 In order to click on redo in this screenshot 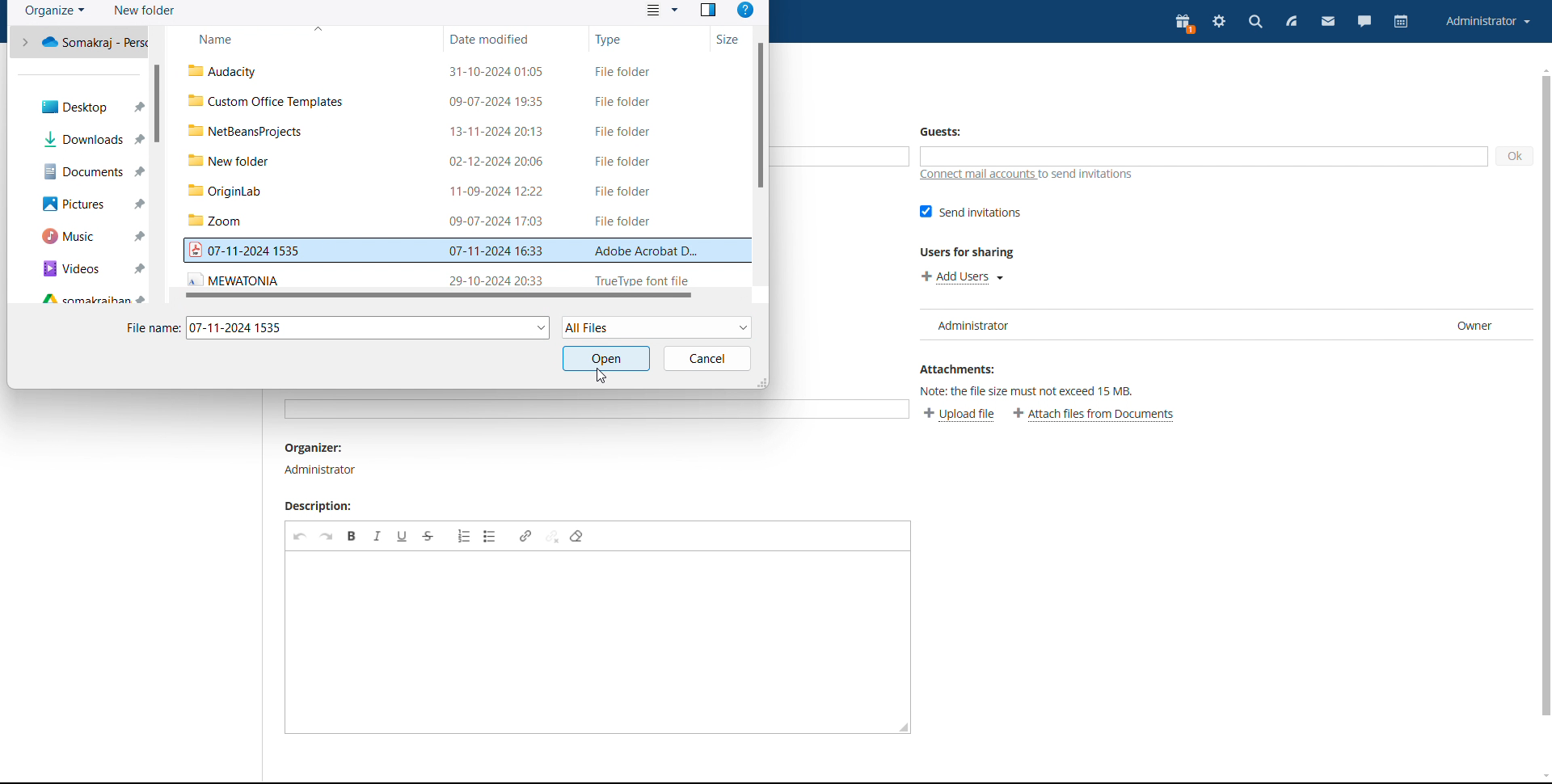, I will do `click(327, 536)`.